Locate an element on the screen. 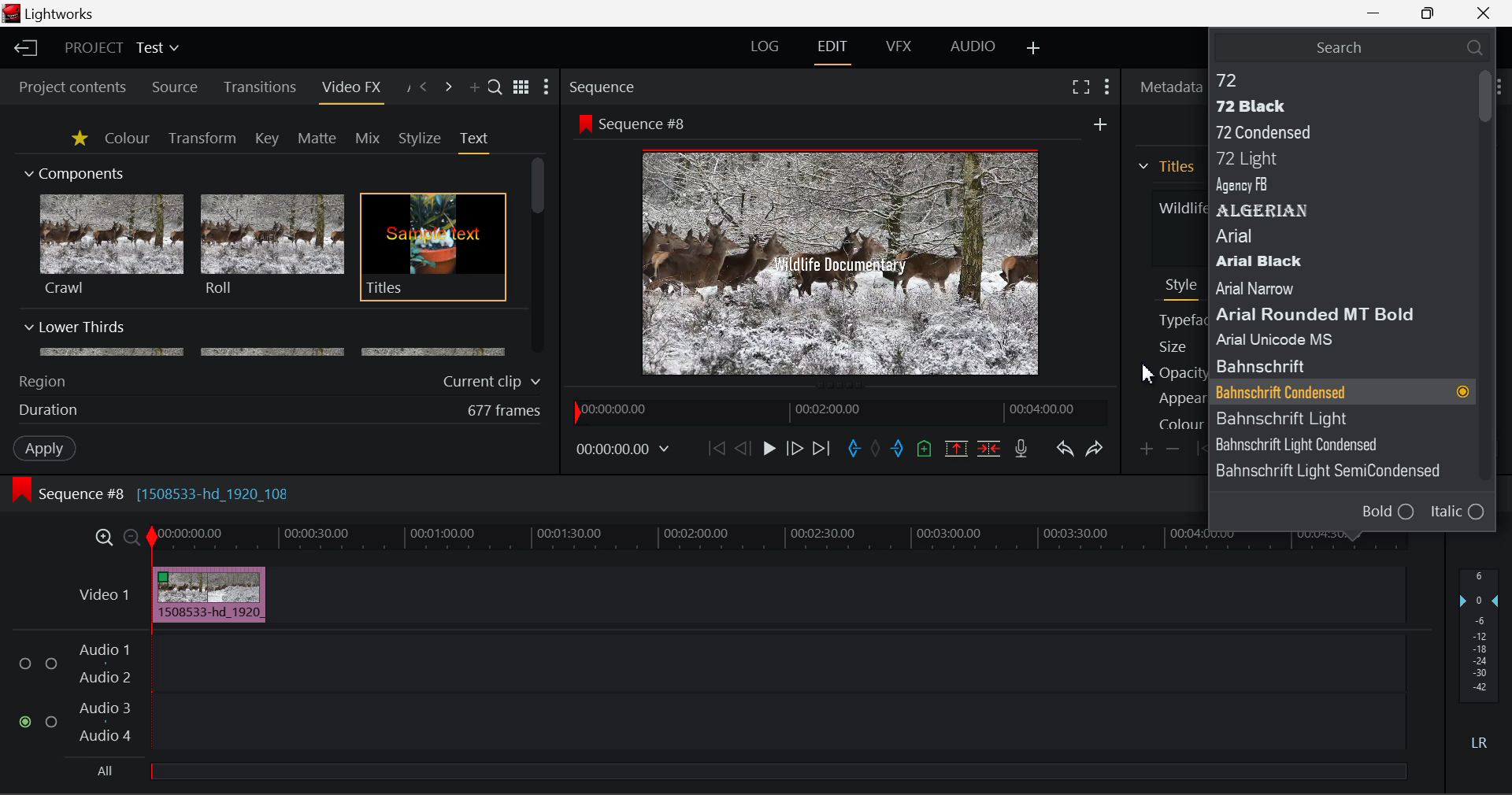 This screenshot has width=1512, height=795. Lightworks is located at coordinates (61, 13).